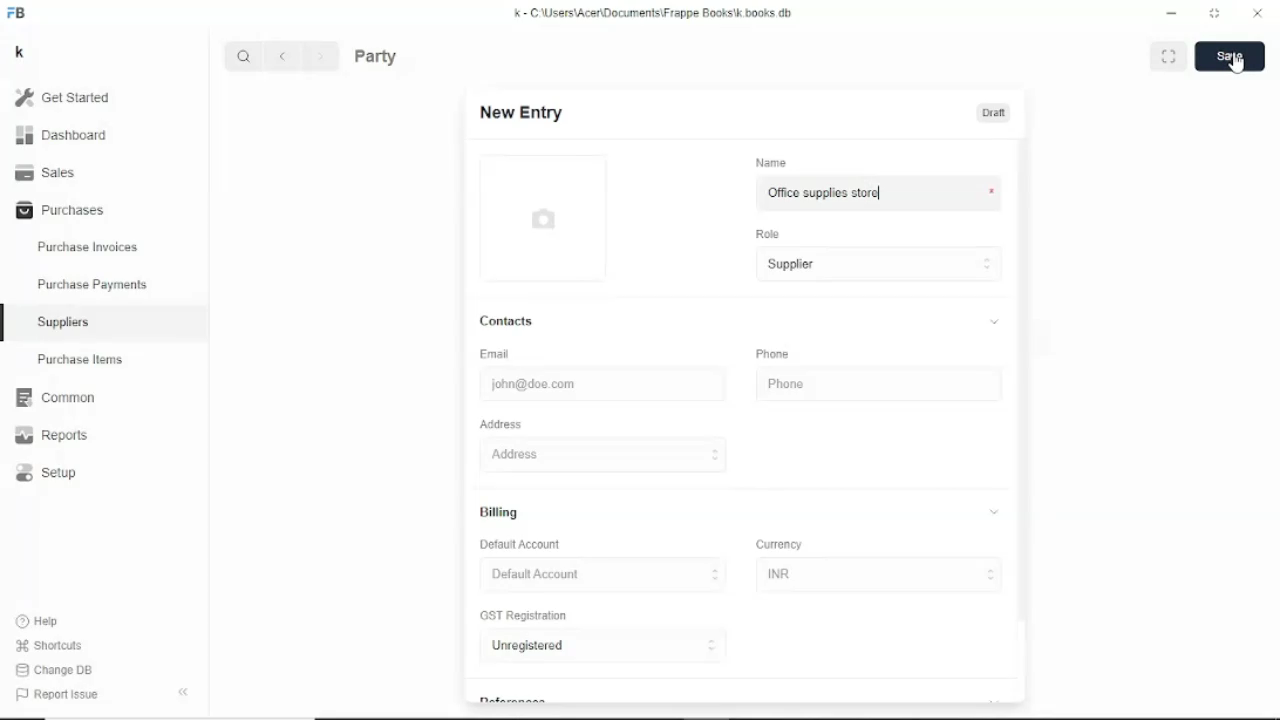  What do you see at coordinates (322, 55) in the screenshot?
I see `Forward` at bounding box center [322, 55].